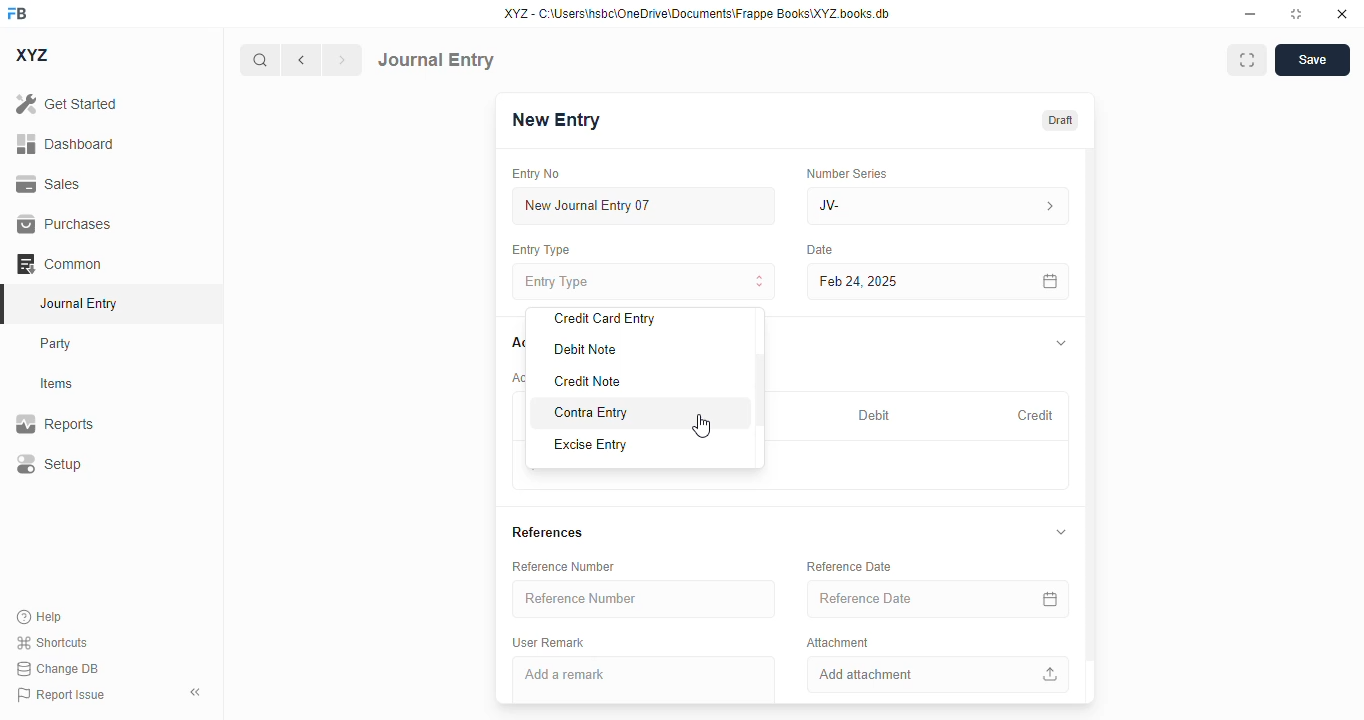 The image size is (1364, 720). What do you see at coordinates (1049, 599) in the screenshot?
I see `calendar icon` at bounding box center [1049, 599].